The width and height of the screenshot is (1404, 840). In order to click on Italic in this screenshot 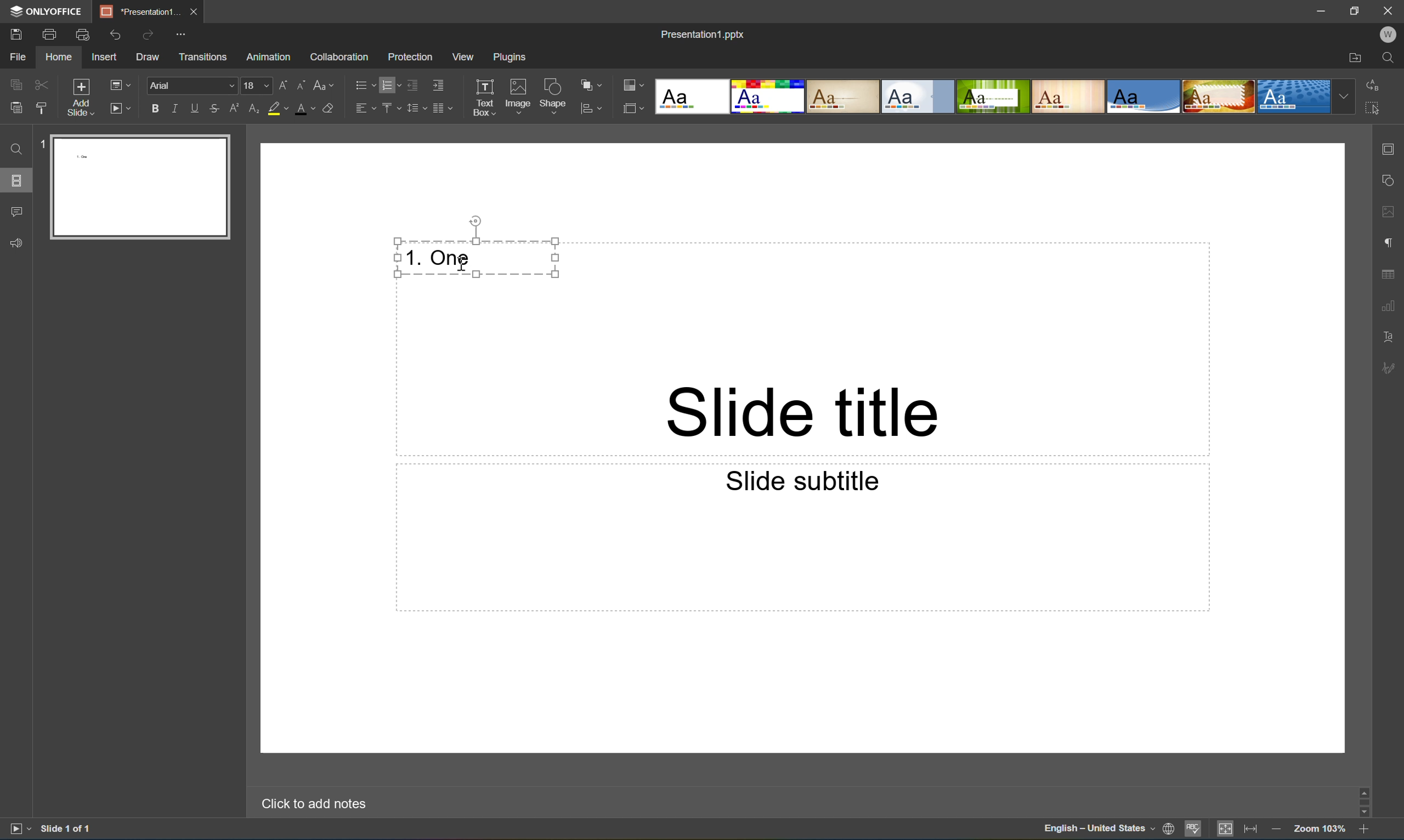, I will do `click(179, 108)`.